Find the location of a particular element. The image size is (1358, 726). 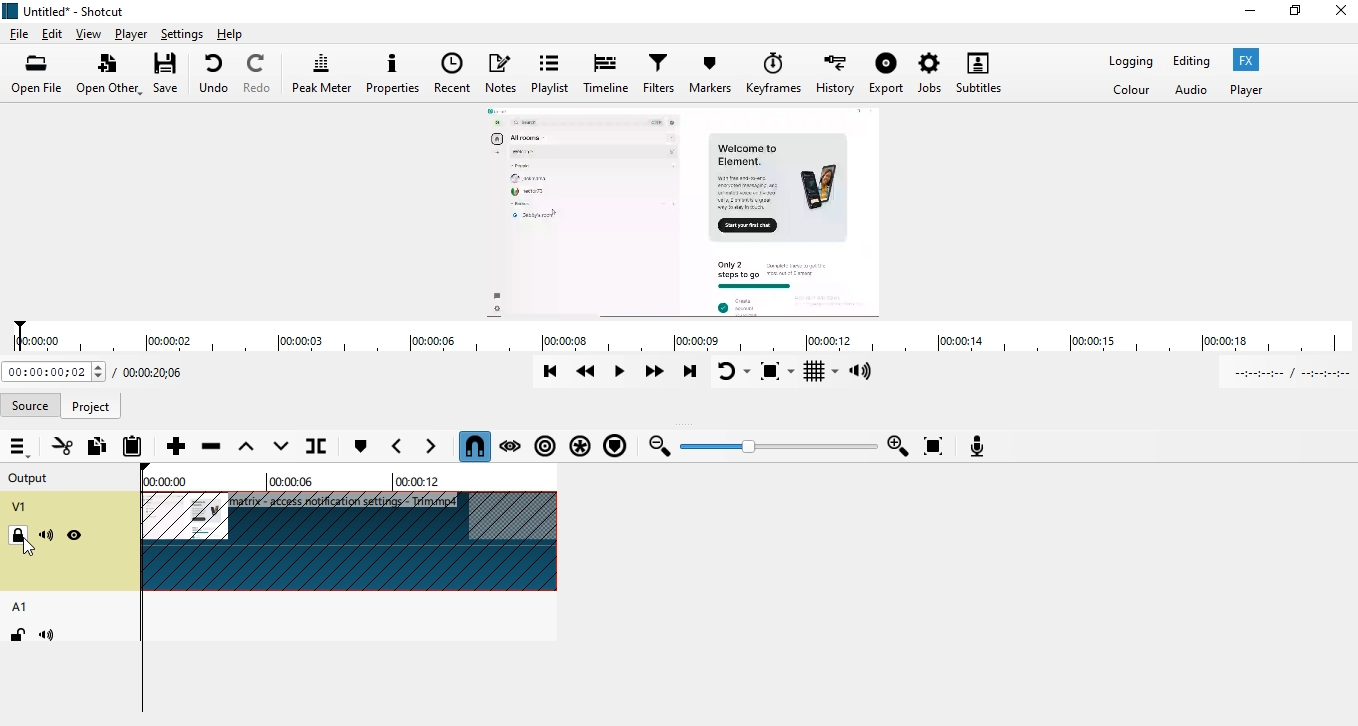

playlist is located at coordinates (551, 71).